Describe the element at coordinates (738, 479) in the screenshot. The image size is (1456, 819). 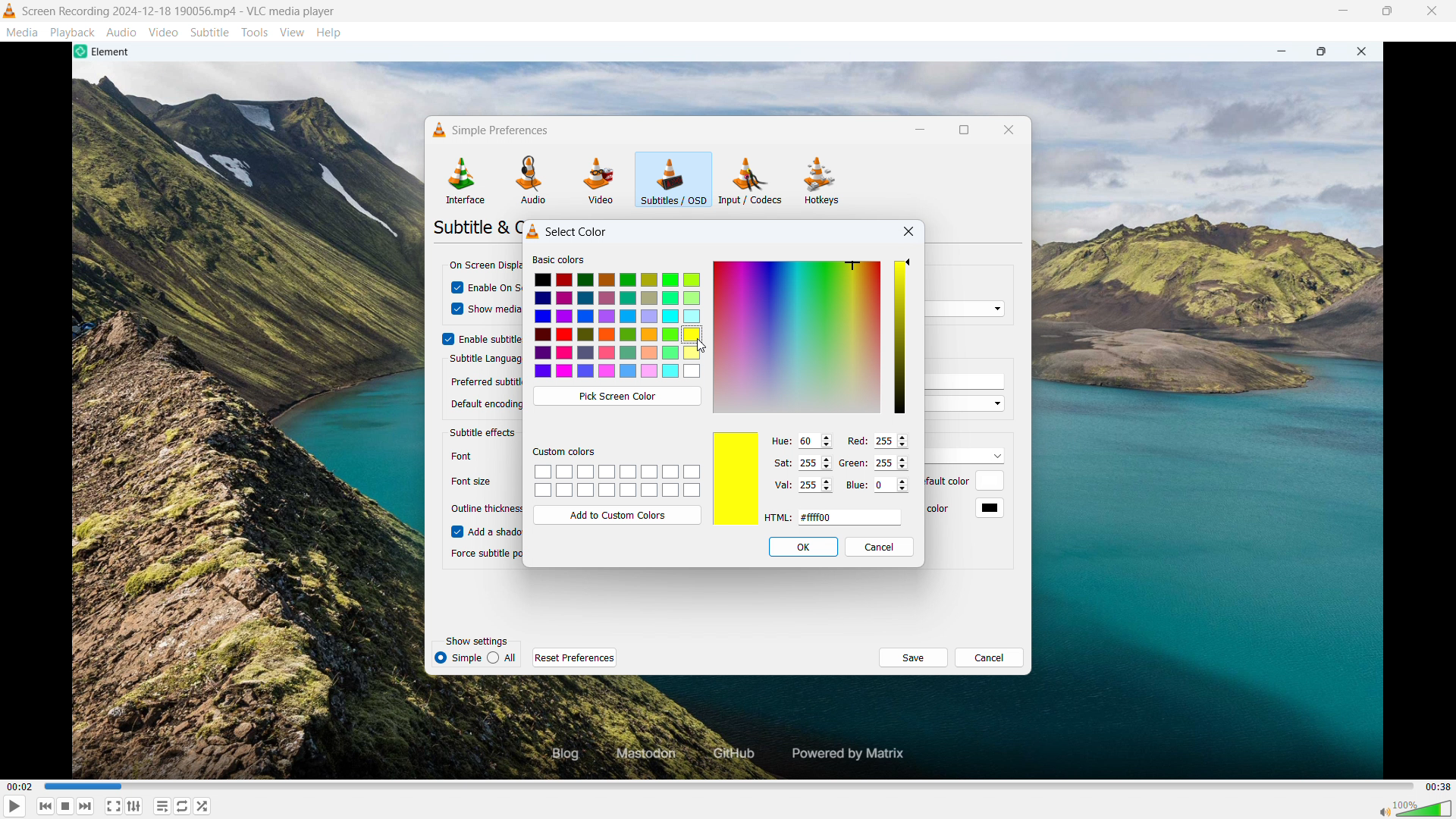
I see `Selected colour preview ` at that location.